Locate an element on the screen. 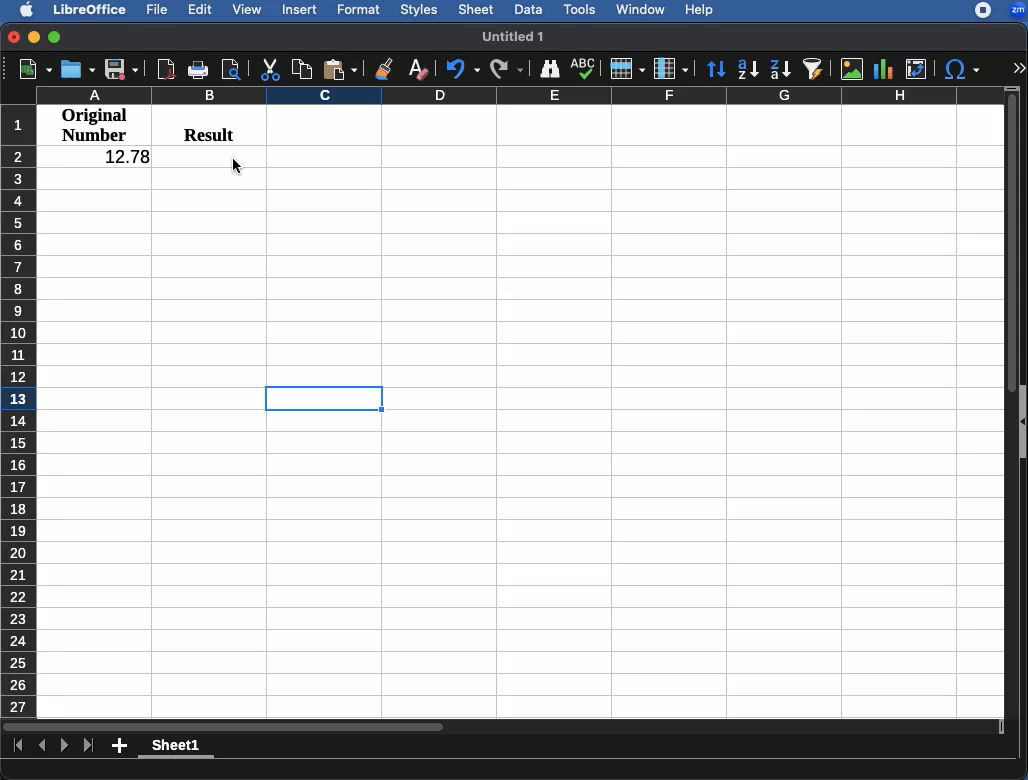  New is located at coordinates (27, 69).